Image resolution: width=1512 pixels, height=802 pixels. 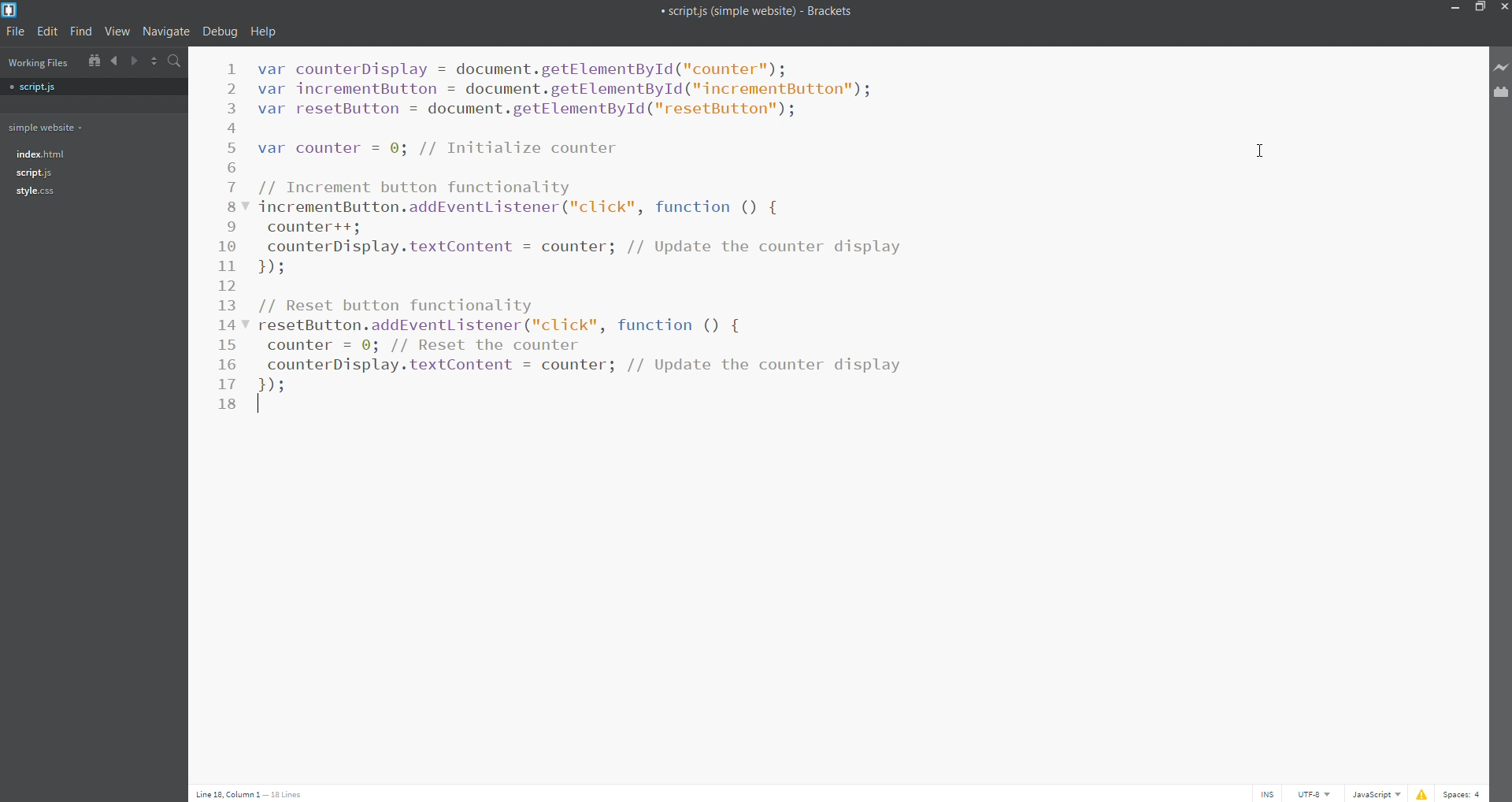 What do you see at coordinates (49, 127) in the screenshot?
I see `current folder` at bounding box center [49, 127].